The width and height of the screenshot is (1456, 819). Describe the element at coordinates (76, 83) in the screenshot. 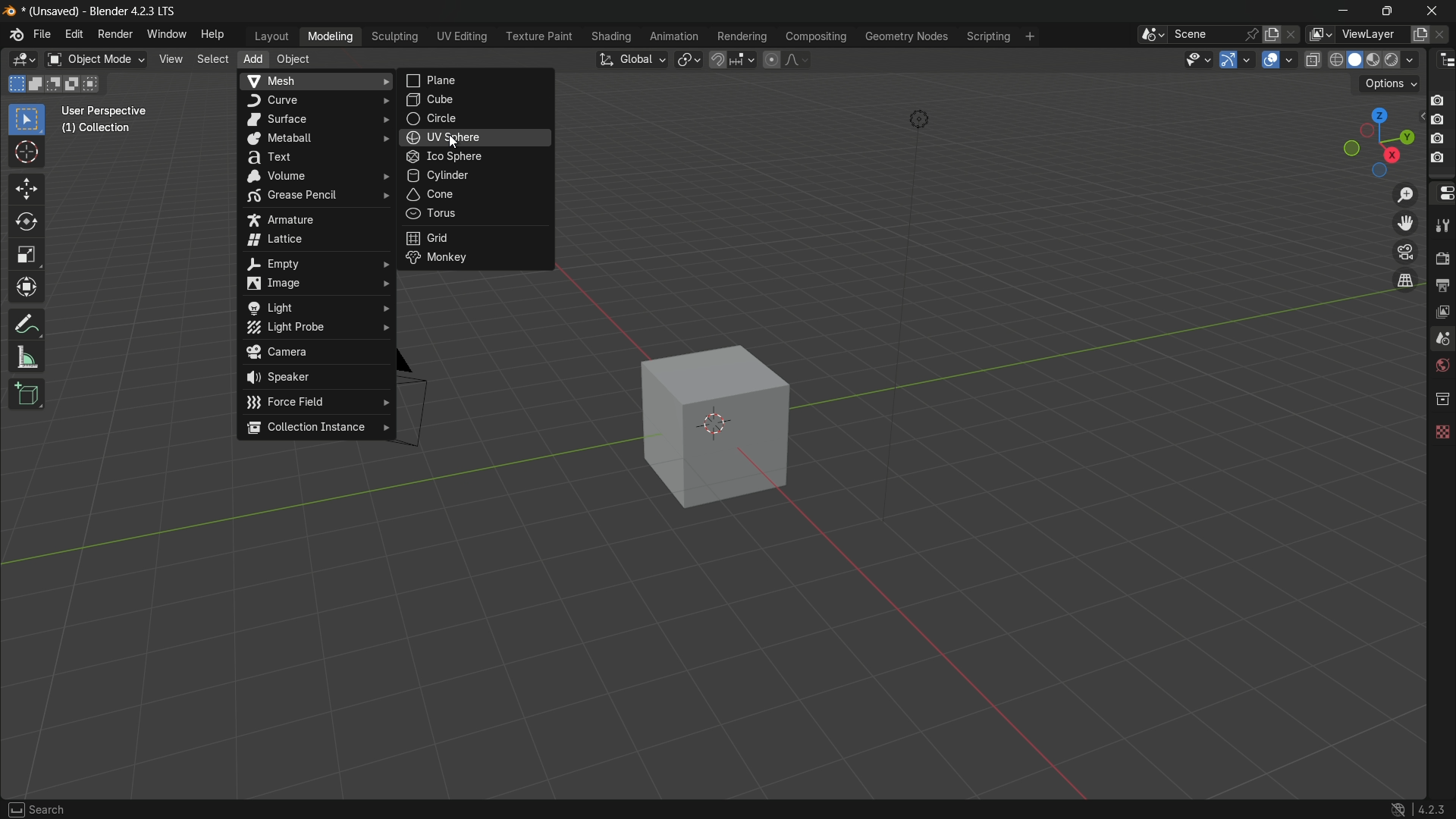

I see `invert existing selection` at that location.